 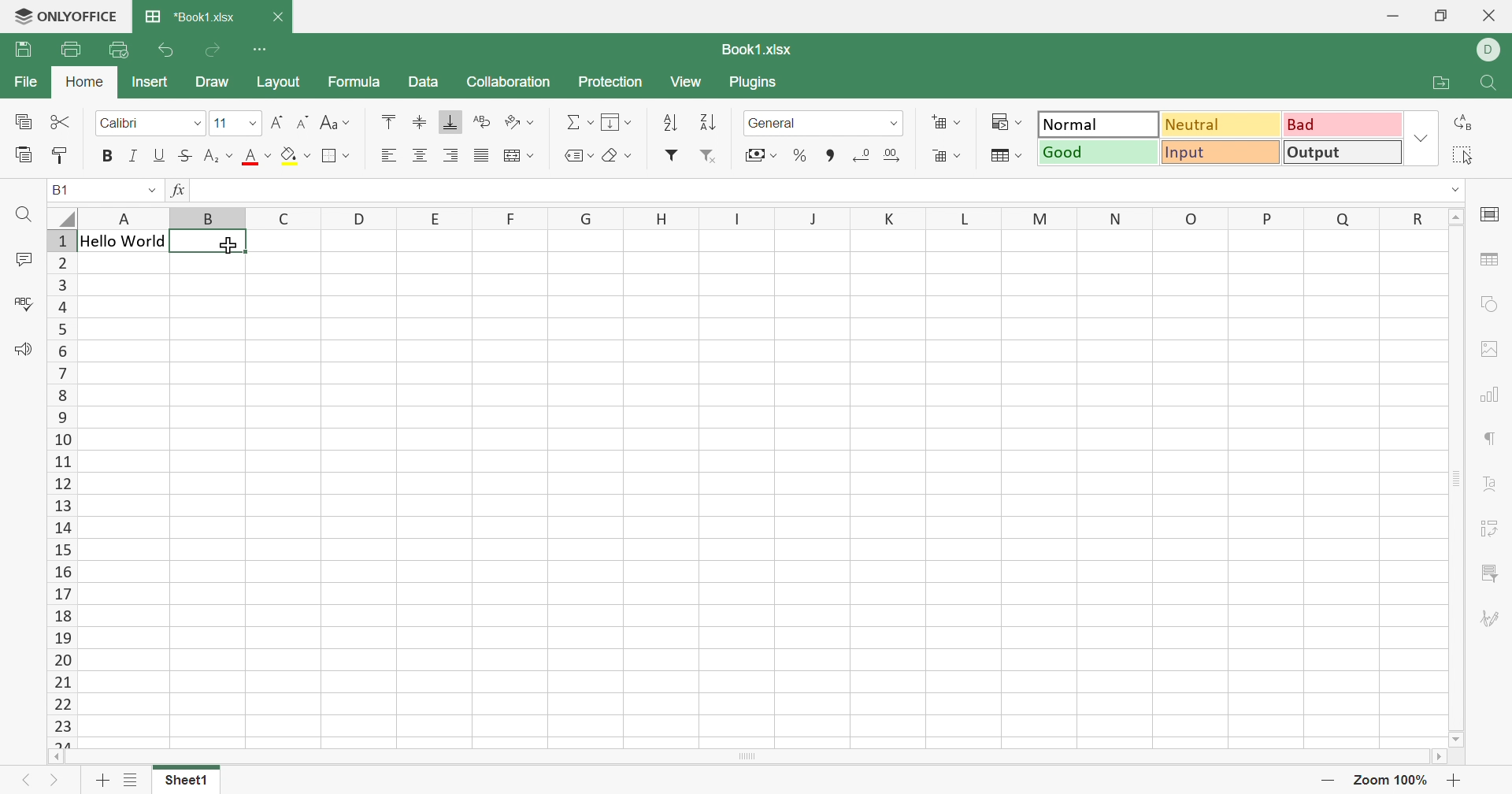 What do you see at coordinates (262, 50) in the screenshot?
I see `Customize Quick Access Toolbar` at bounding box center [262, 50].